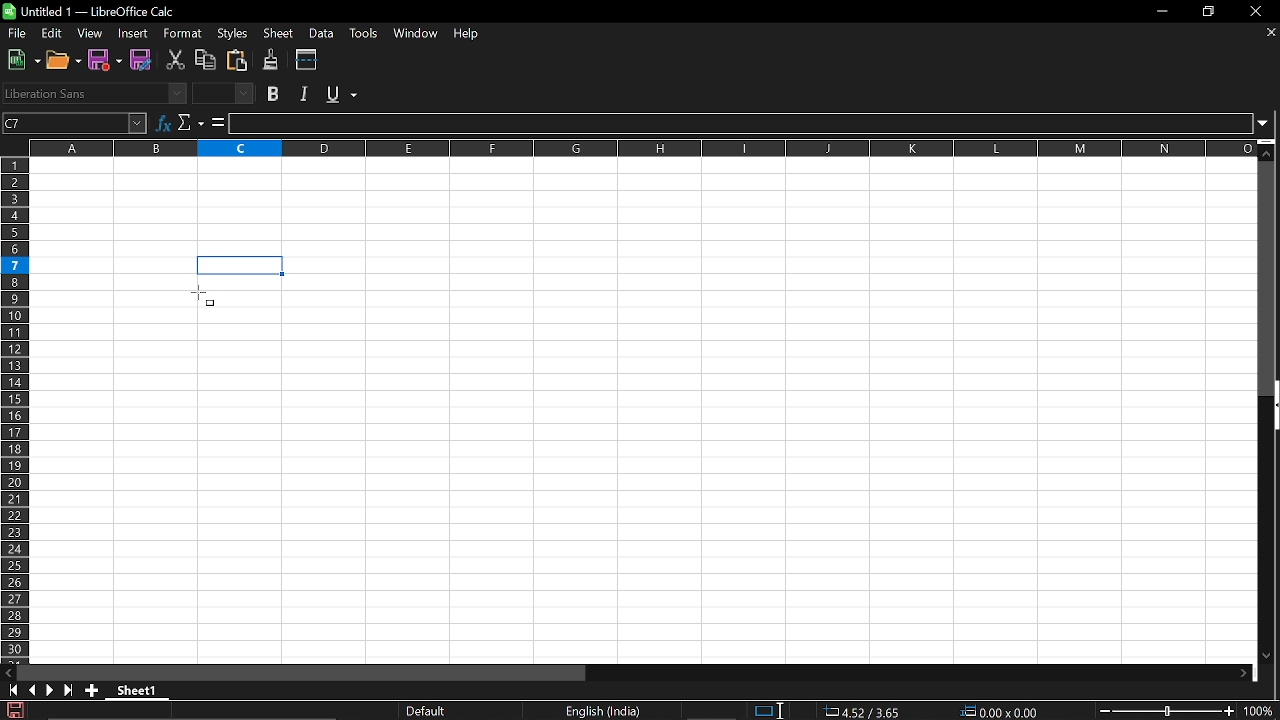 This screenshot has height=720, width=1280. Describe the element at coordinates (64, 60) in the screenshot. I see `Open` at that location.